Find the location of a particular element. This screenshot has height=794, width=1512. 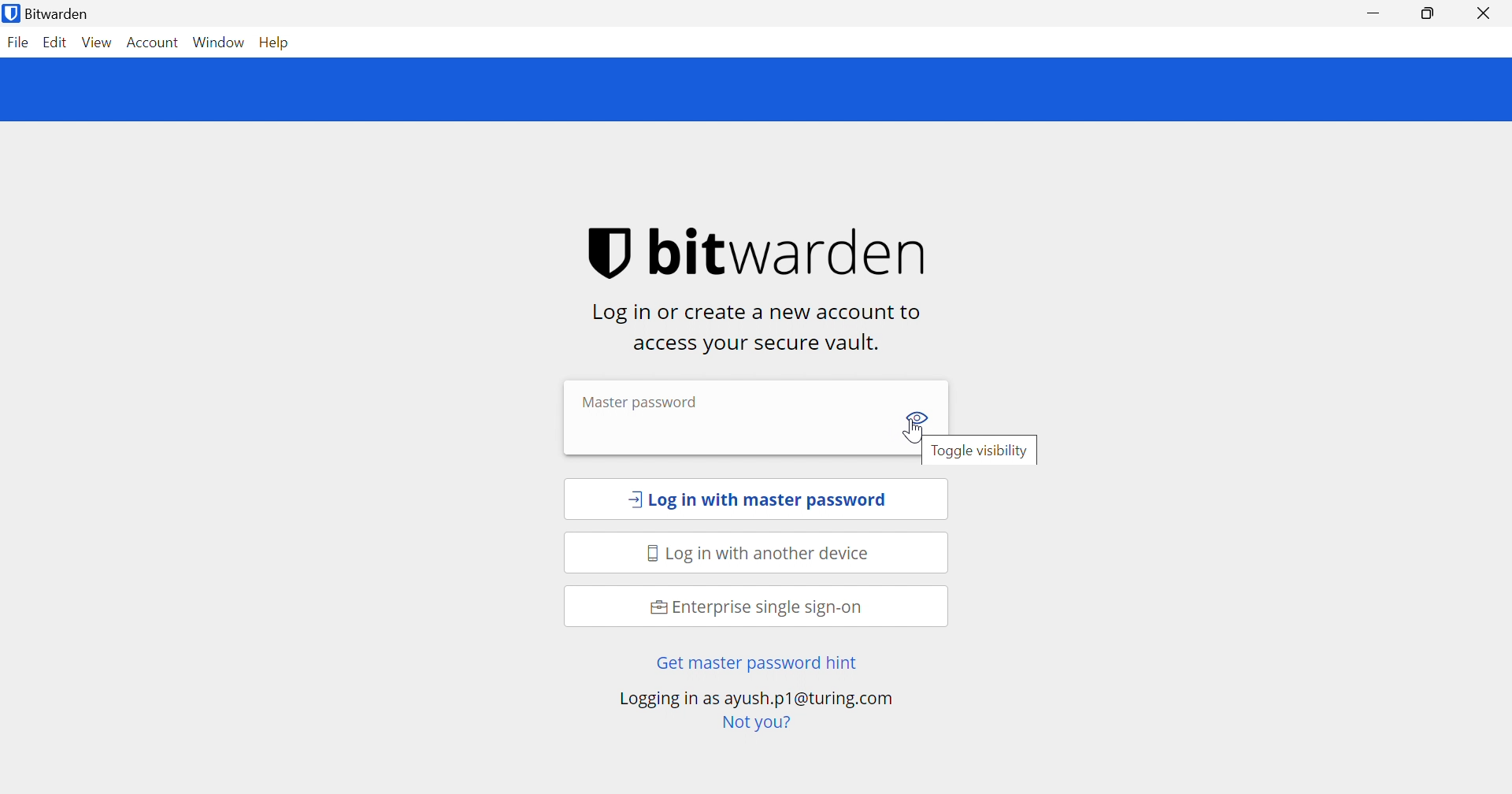

Bitwarden is located at coordinates (50, 14).